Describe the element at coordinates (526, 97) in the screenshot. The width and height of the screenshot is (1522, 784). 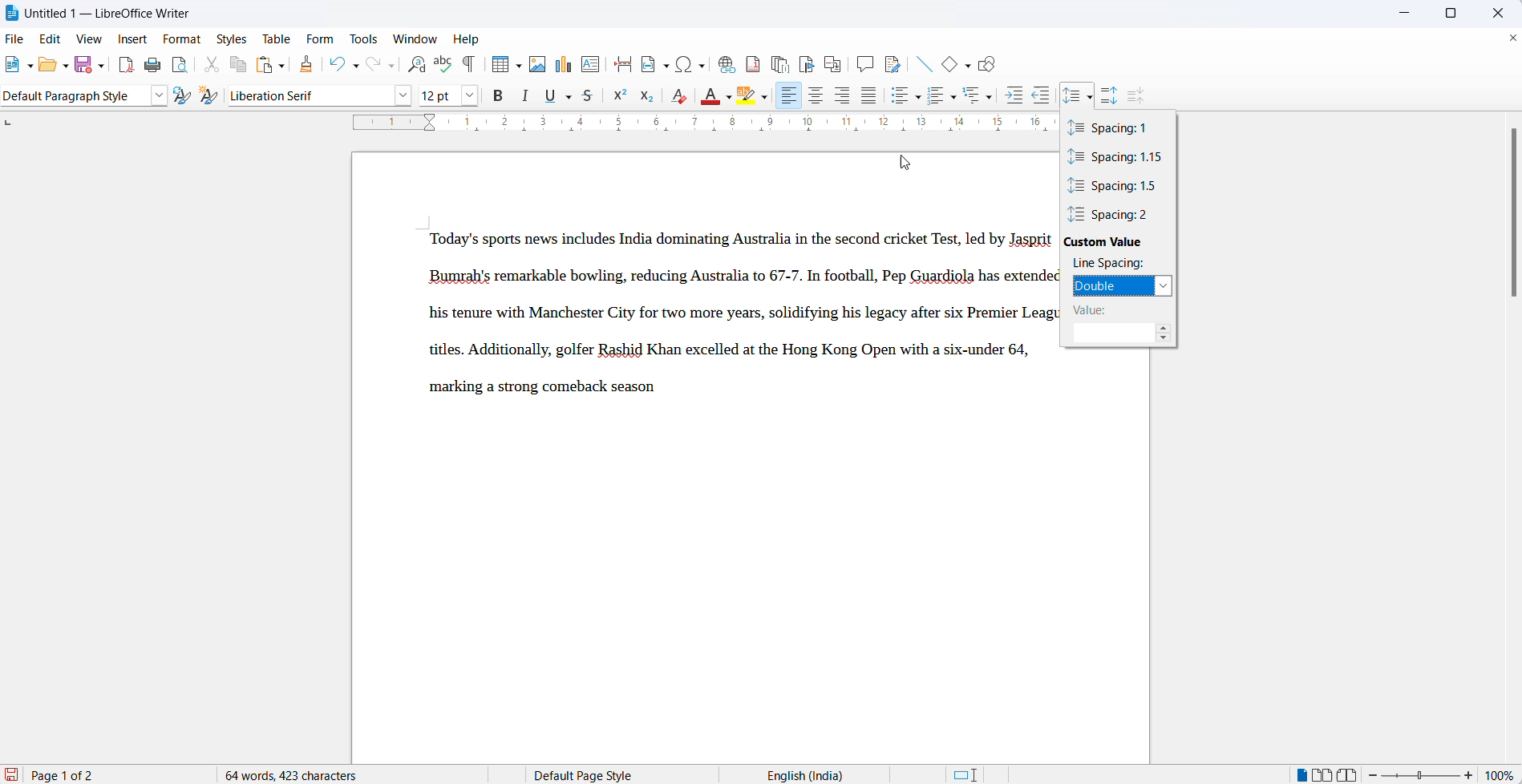
I see `italic` at that location.